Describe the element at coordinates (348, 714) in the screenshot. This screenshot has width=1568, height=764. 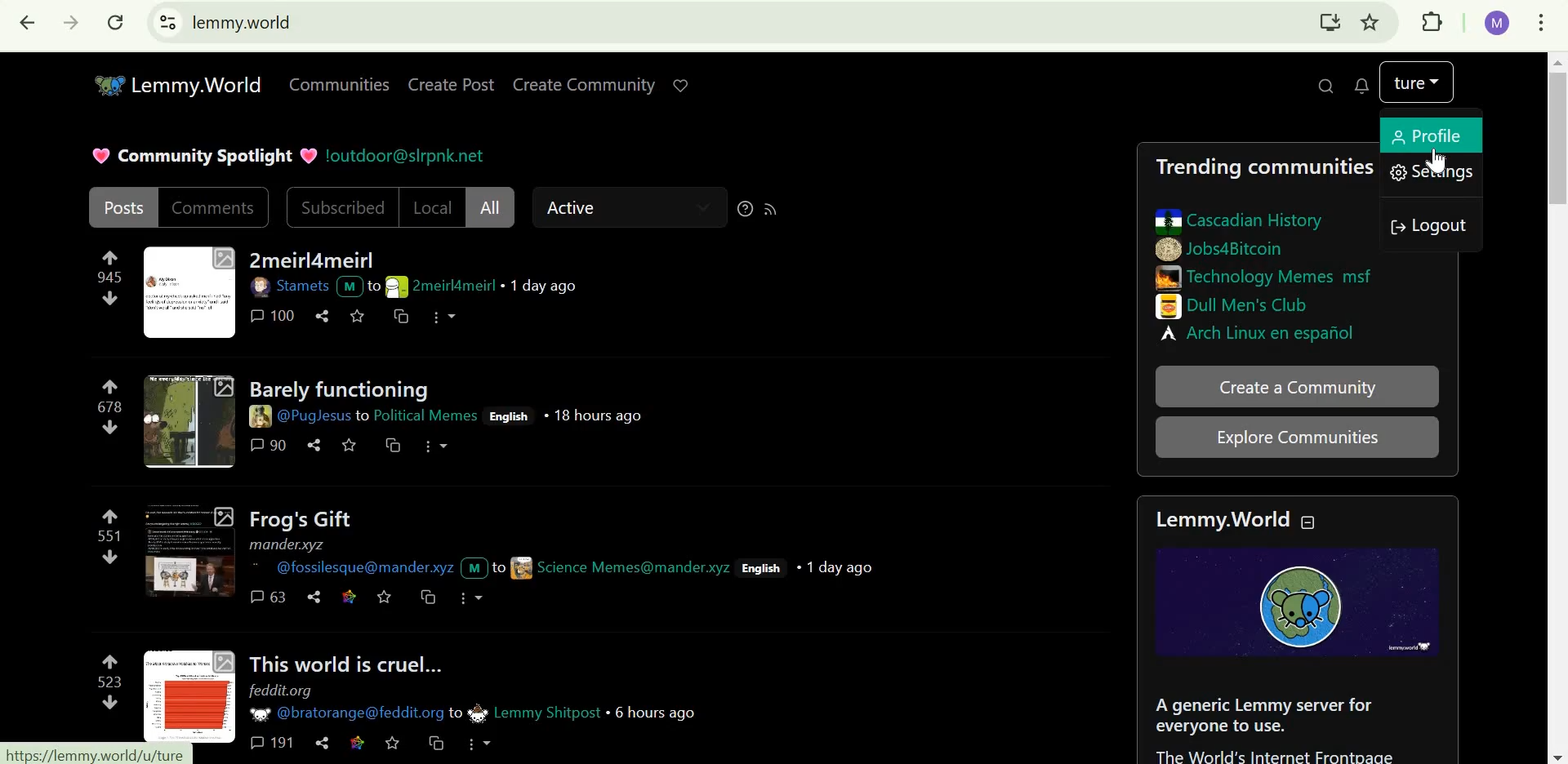
I see `user ID` at that location.